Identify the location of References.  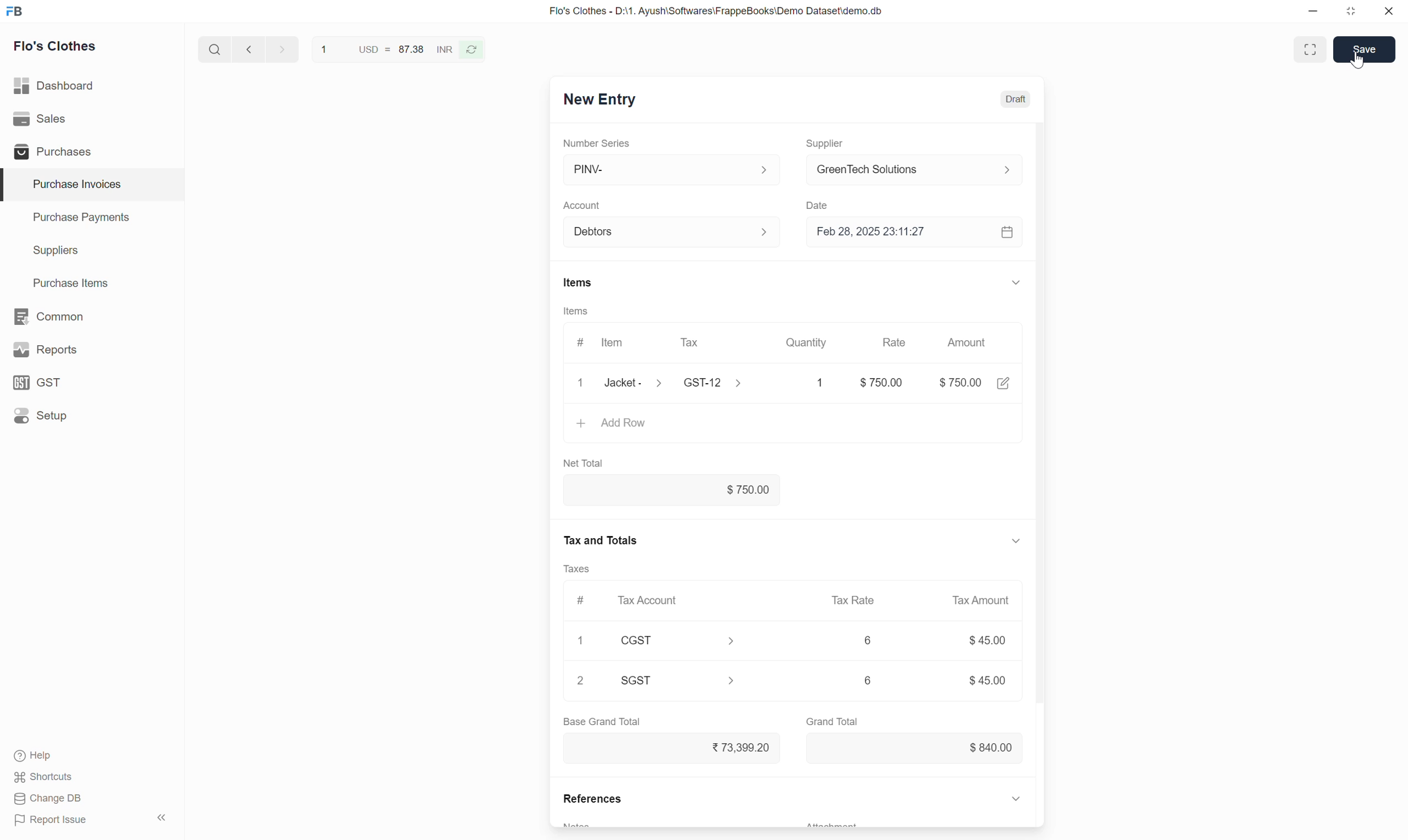
(592, 798).